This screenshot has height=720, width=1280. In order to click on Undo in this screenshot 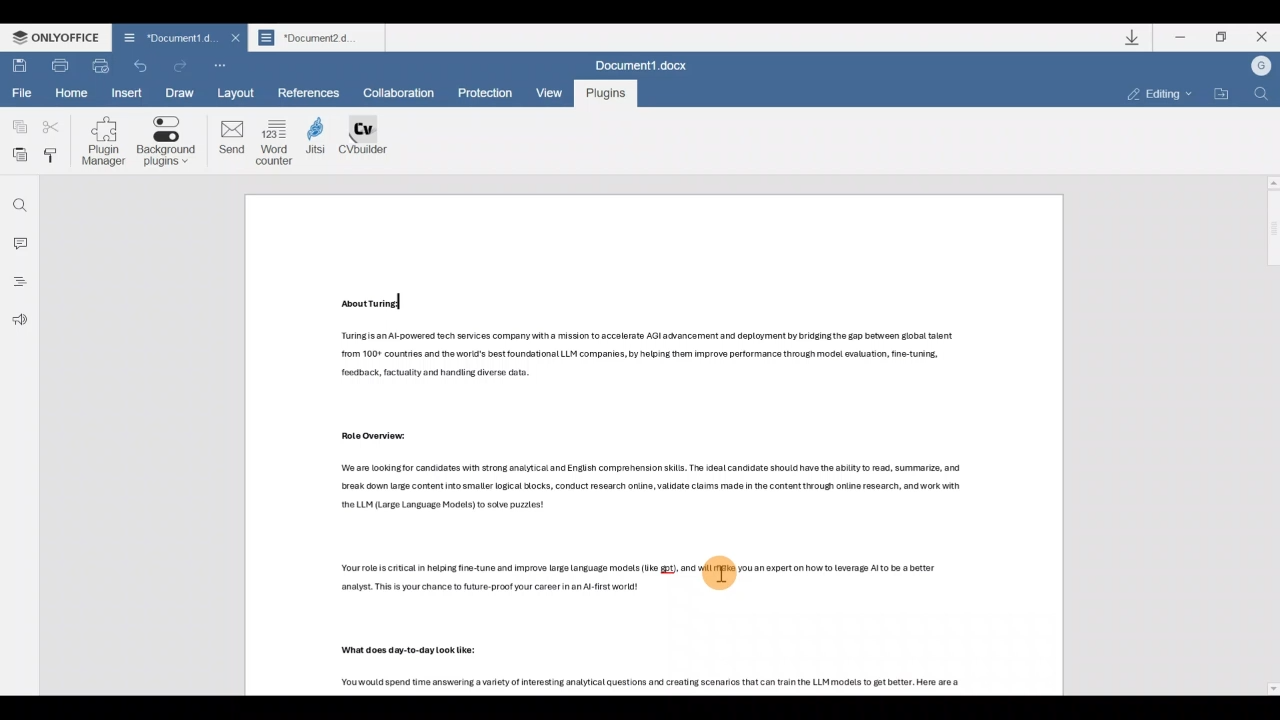, I will do `click(181, 62)`.